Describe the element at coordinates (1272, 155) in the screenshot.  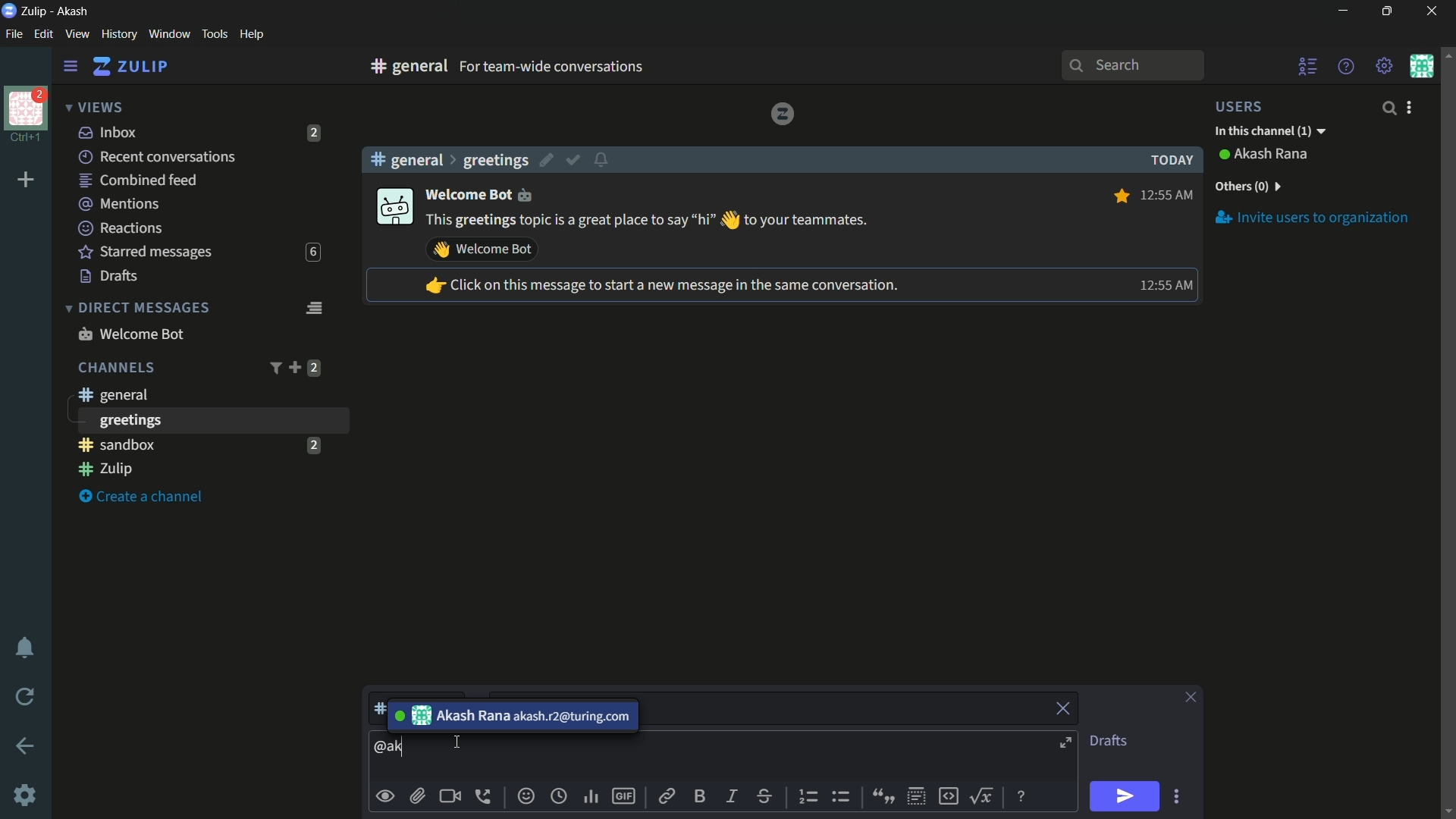
I see `Akash rana` at that location.